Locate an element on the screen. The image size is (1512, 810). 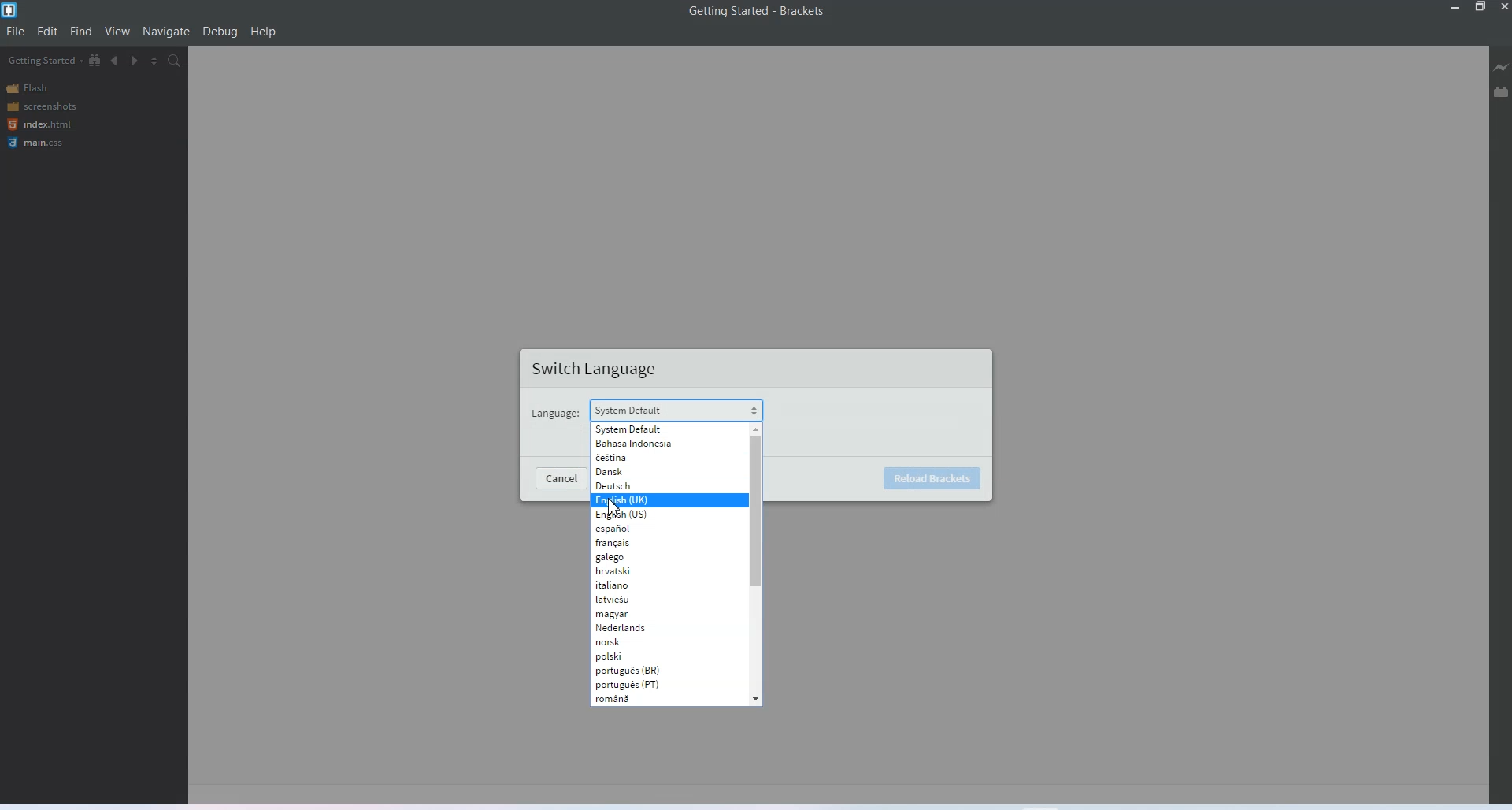
English U S is located at coordinates (655, 515).